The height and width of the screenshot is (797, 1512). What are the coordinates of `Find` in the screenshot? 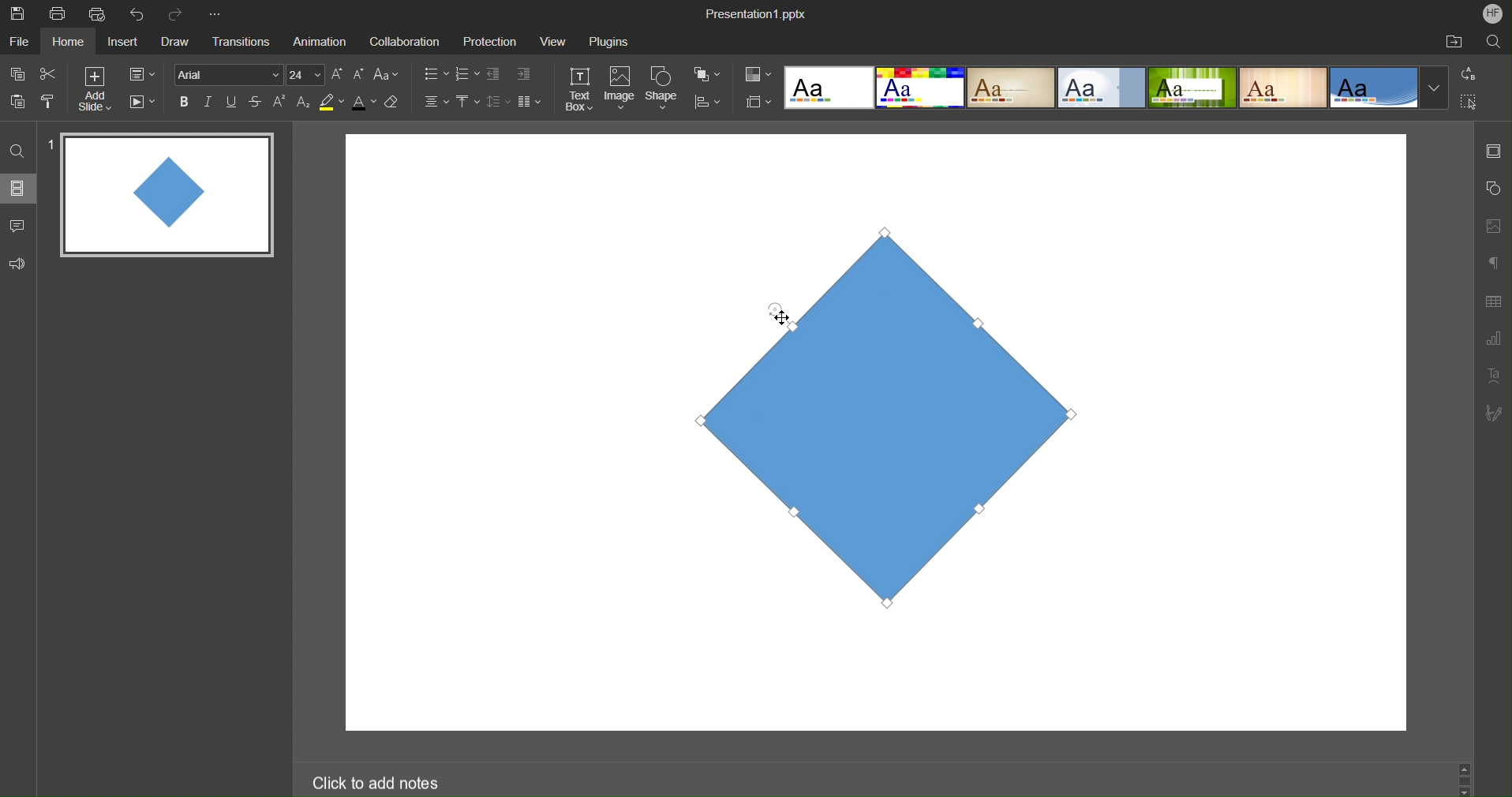 It's located at (18, 152).